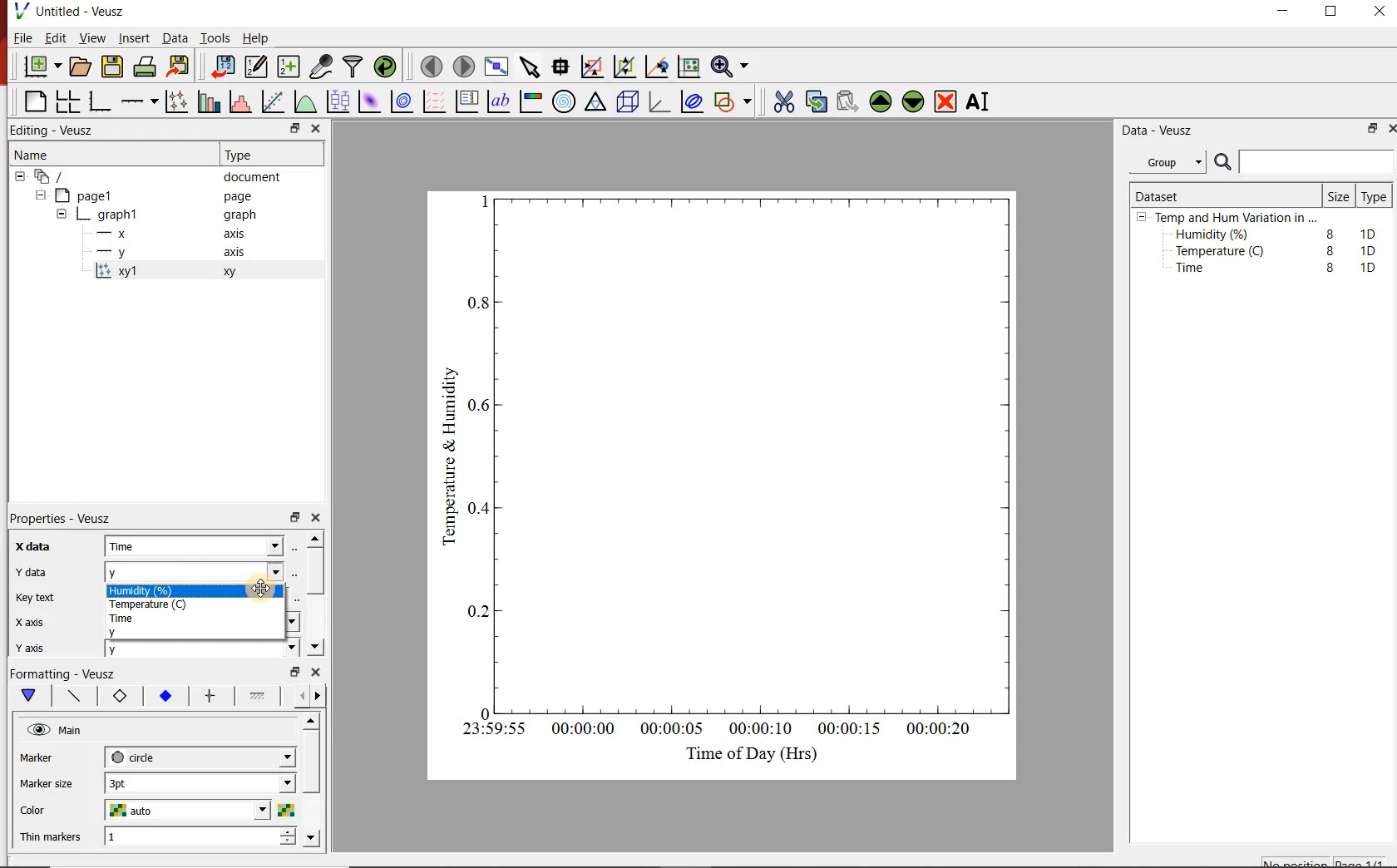 This screenshot has height=868, width=1397. What do you see at coordinates (562, 67) in the screenshot?
I see `Read data points on the graph` at bounding box center [562, 67].